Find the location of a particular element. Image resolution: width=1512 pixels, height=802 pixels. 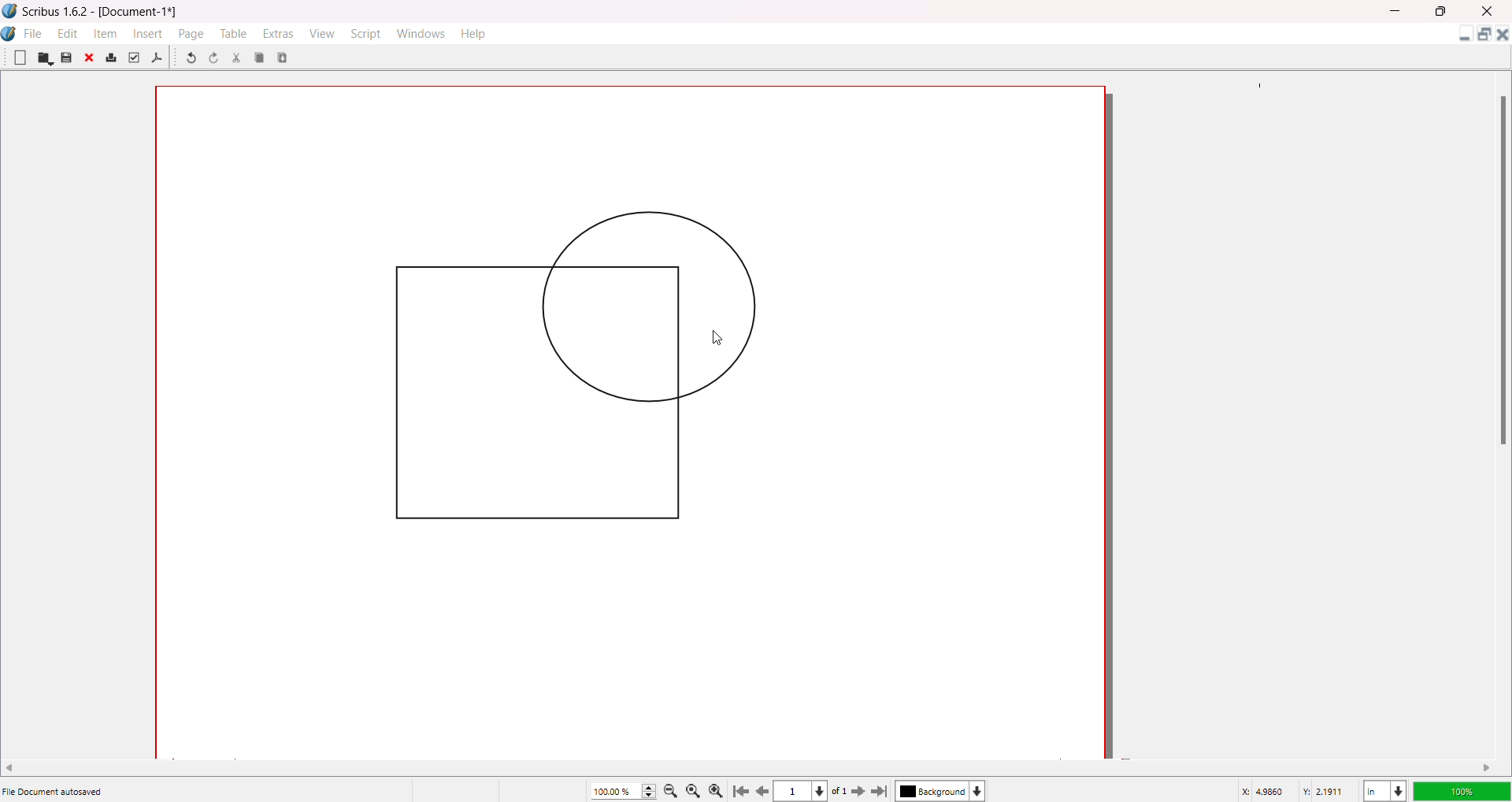

Zoom Increase/Decrease is located at coordinates (651, 789).